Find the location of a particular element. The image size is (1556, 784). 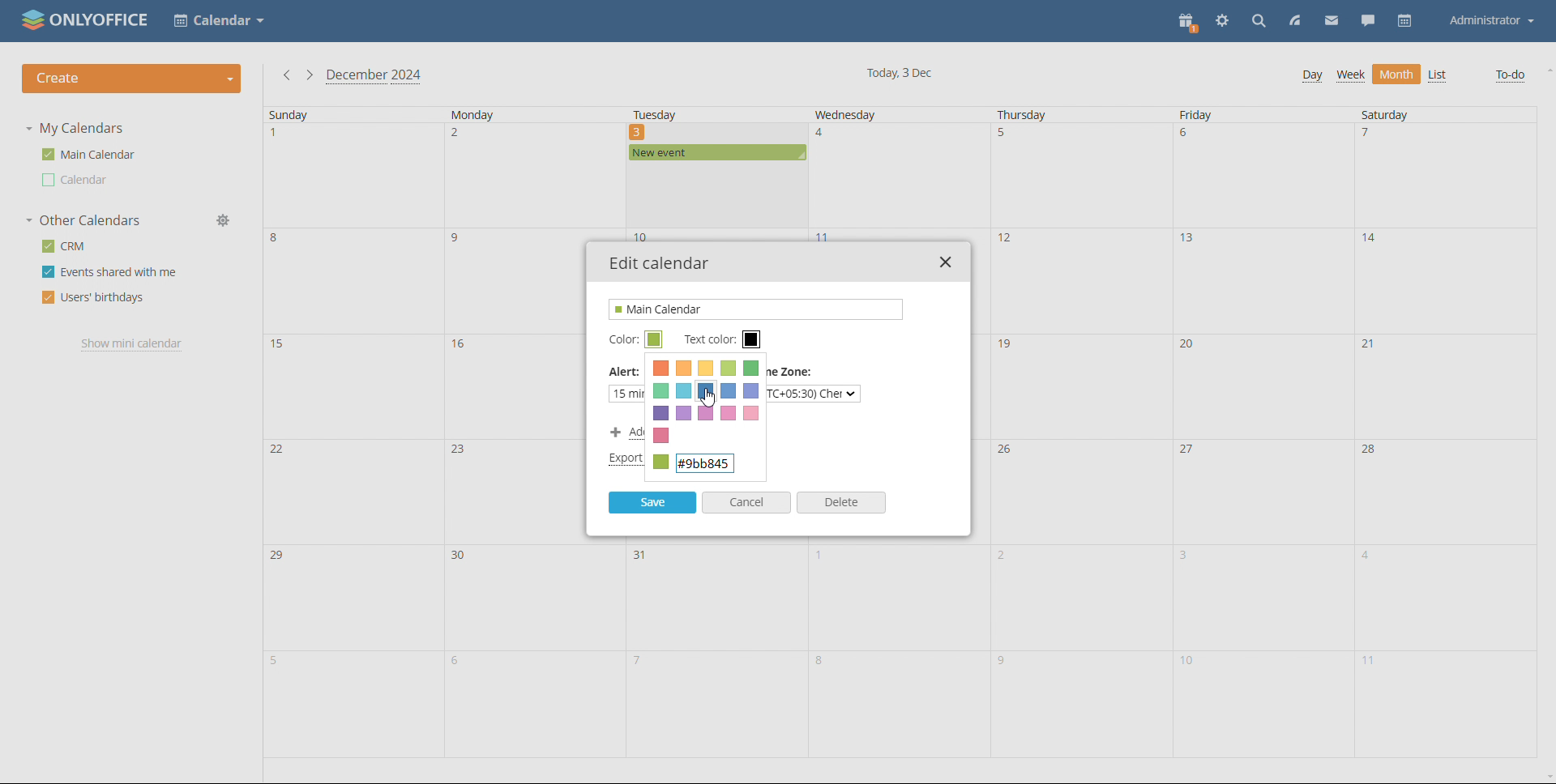

date is located at coordinates (532, 177).